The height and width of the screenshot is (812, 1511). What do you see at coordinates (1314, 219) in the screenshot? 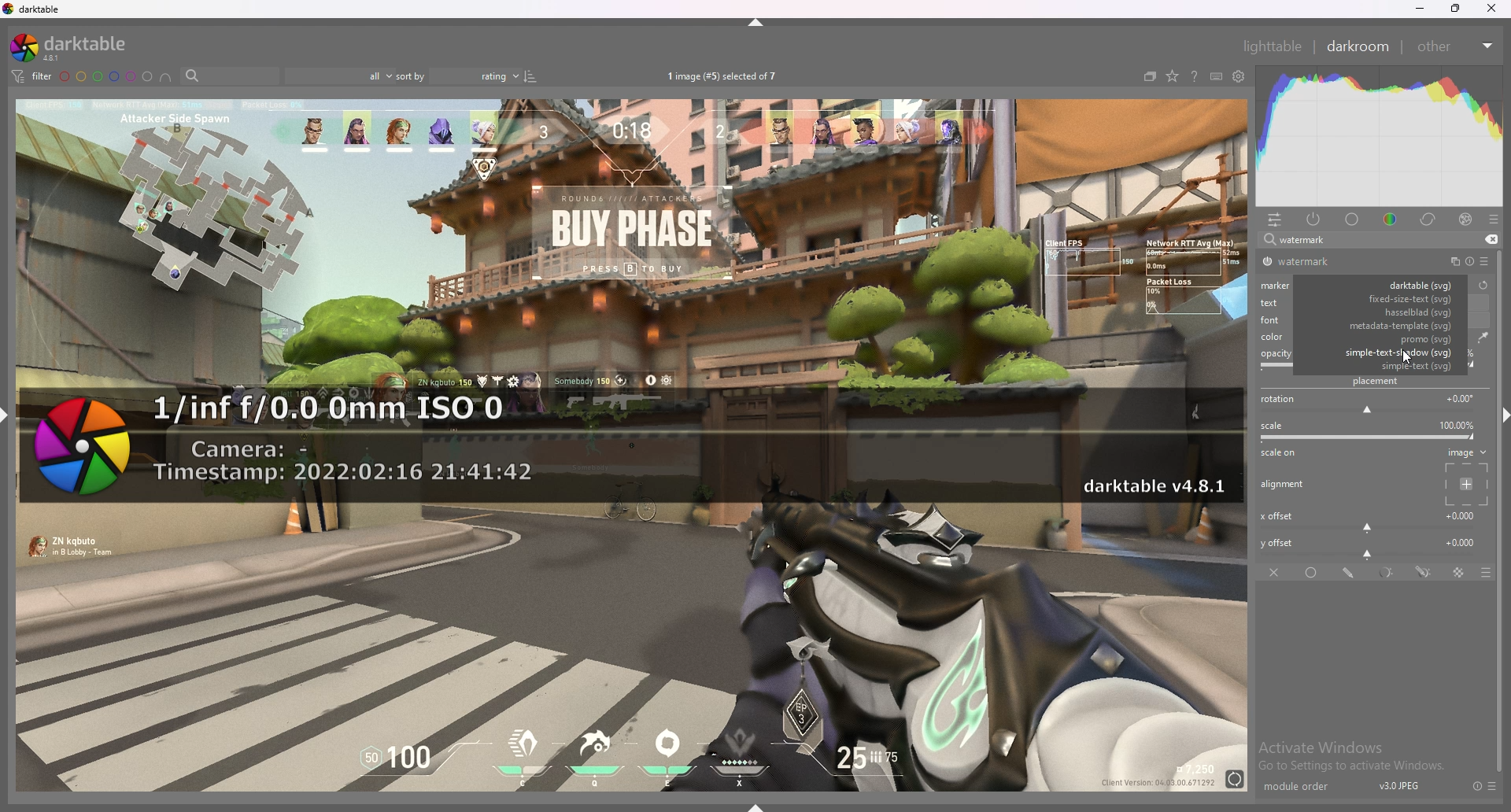
I see `active module` at bounding box center [1314, 219].